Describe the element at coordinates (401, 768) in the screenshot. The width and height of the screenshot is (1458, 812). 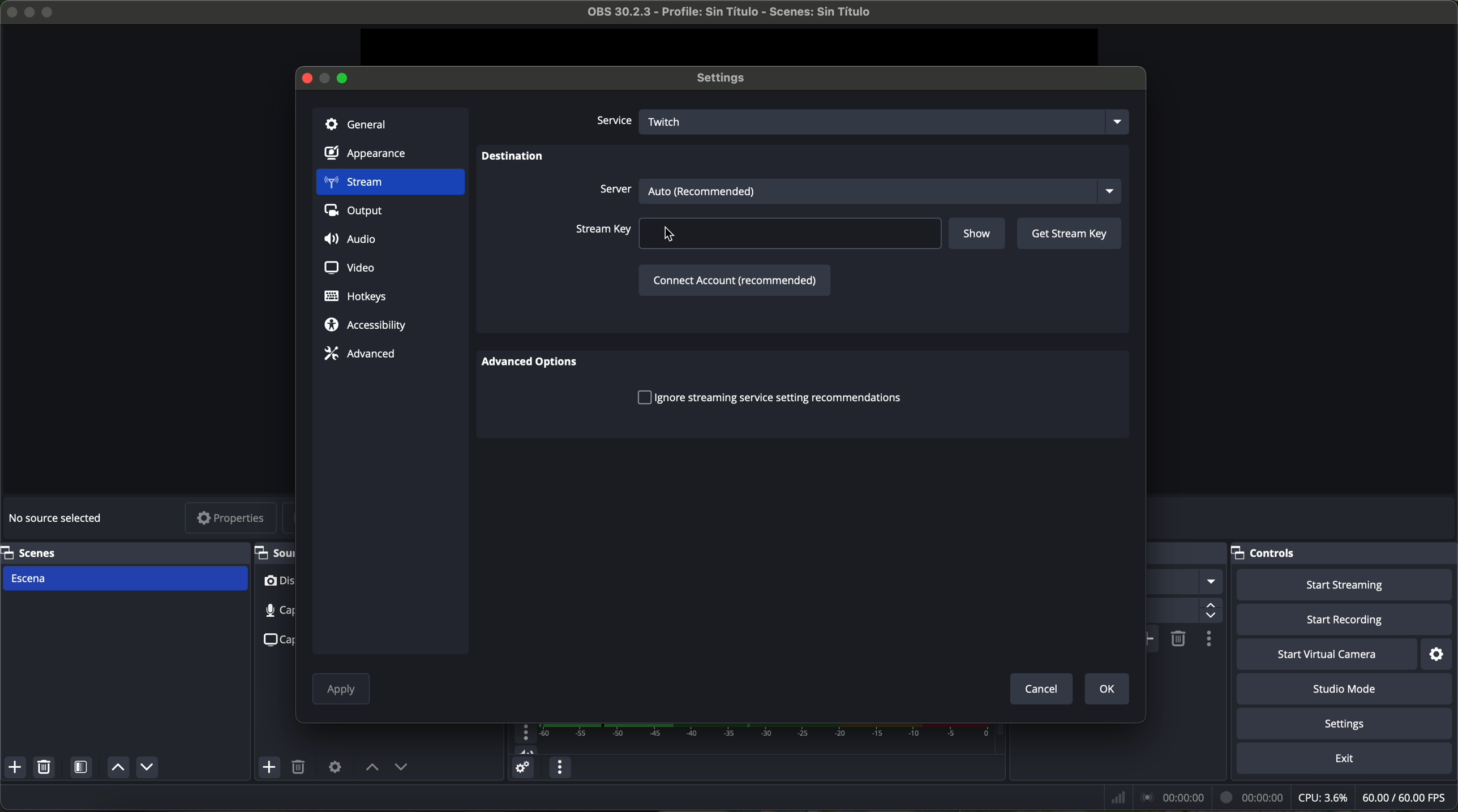
I see `move source down` at that location.